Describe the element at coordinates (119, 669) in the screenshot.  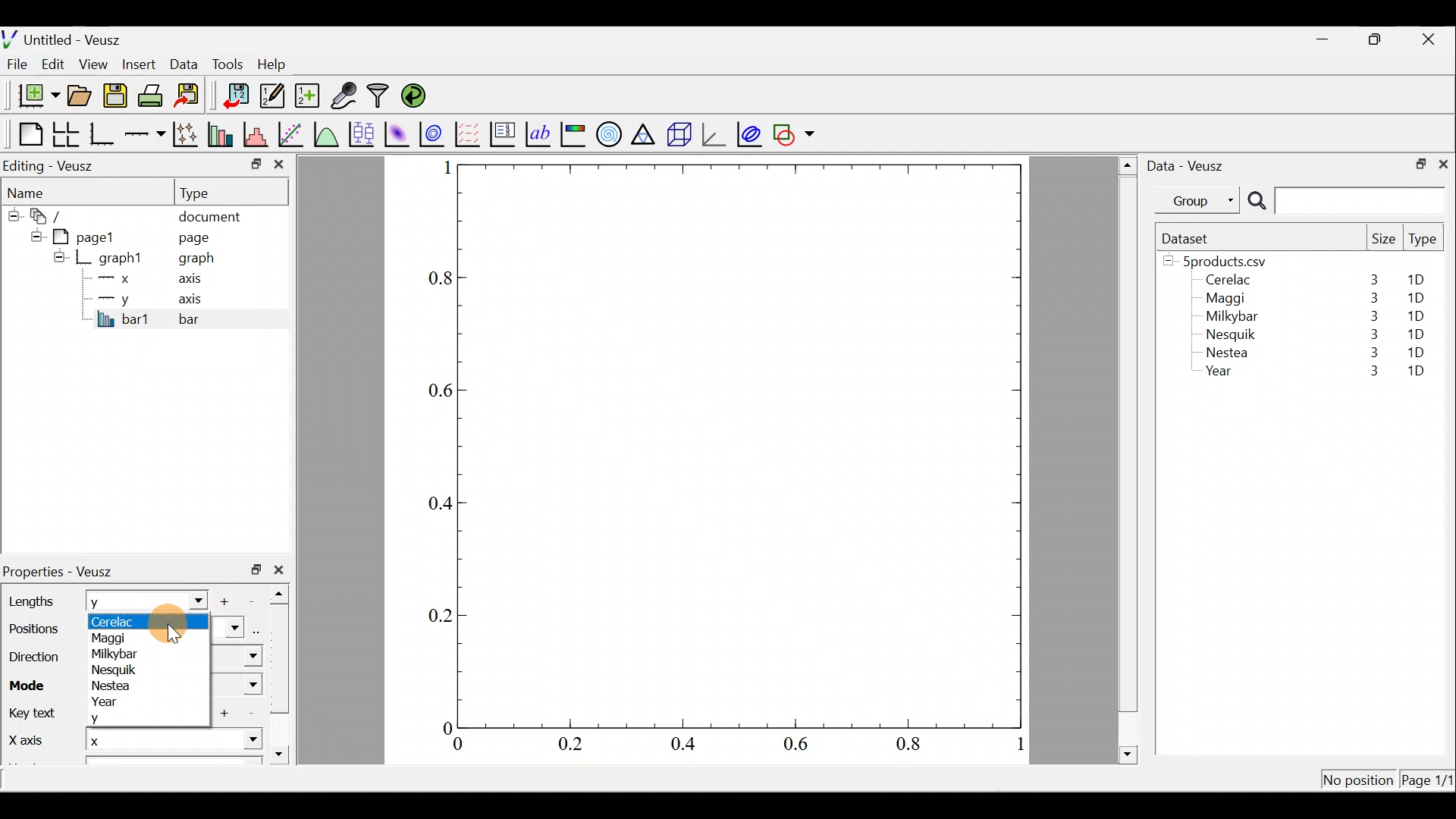
I see `Nesquik` at that location.